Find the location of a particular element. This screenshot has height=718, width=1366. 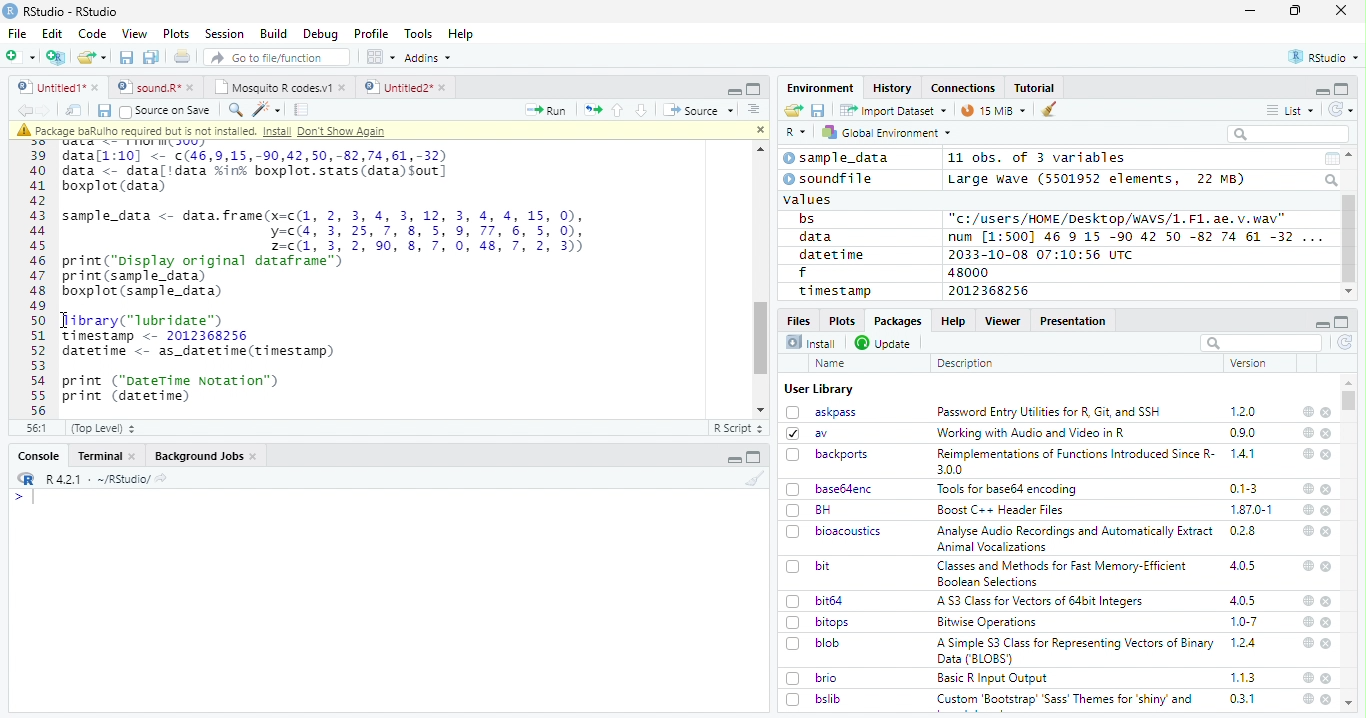

num [1:500] 46 9 15 -90 42 50 -82 74 61 -32 ... is located at coordinates (1135, 236).